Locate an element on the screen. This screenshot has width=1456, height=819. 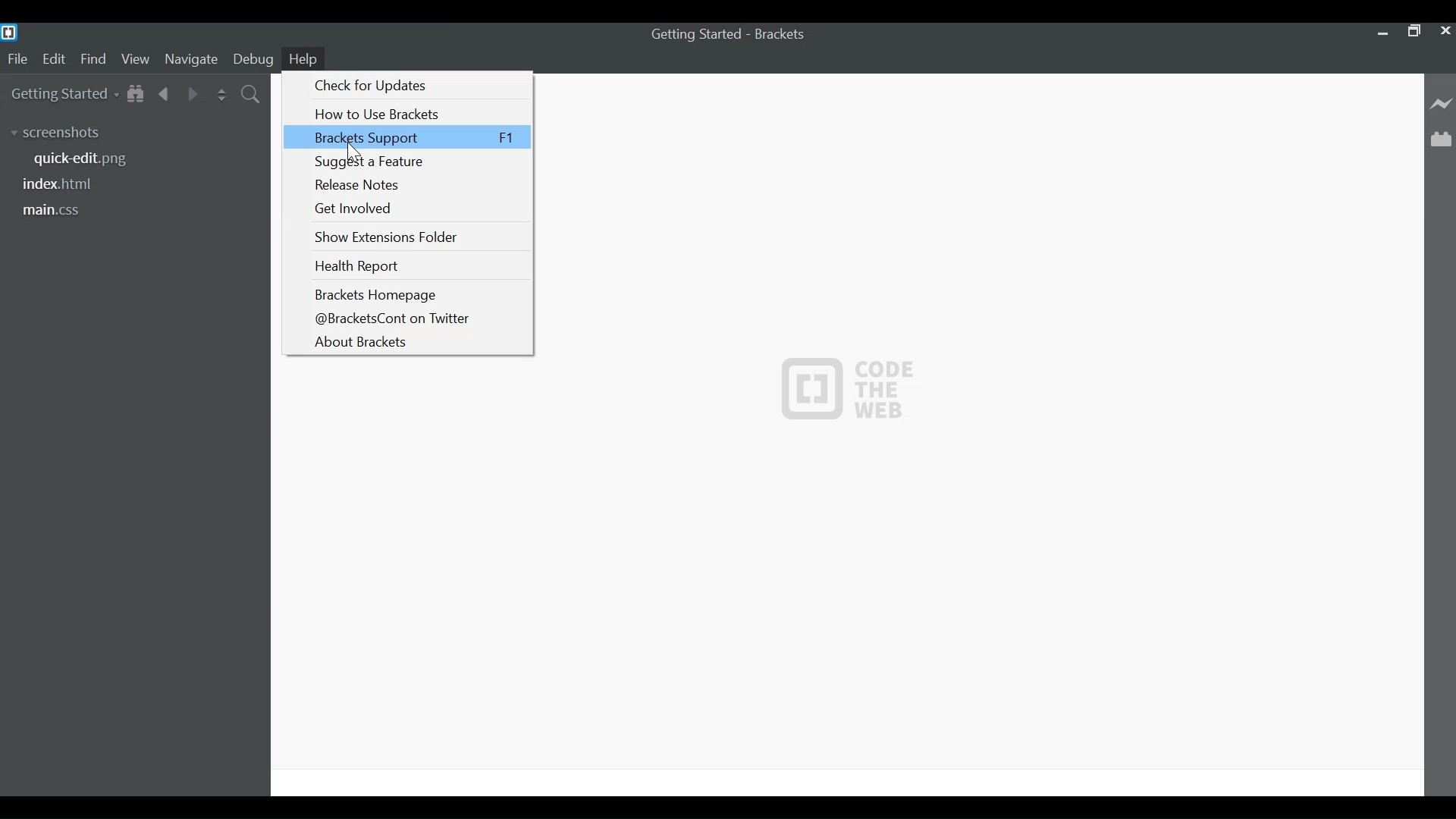
Suggest Feature is located at coordinates (416, 162).